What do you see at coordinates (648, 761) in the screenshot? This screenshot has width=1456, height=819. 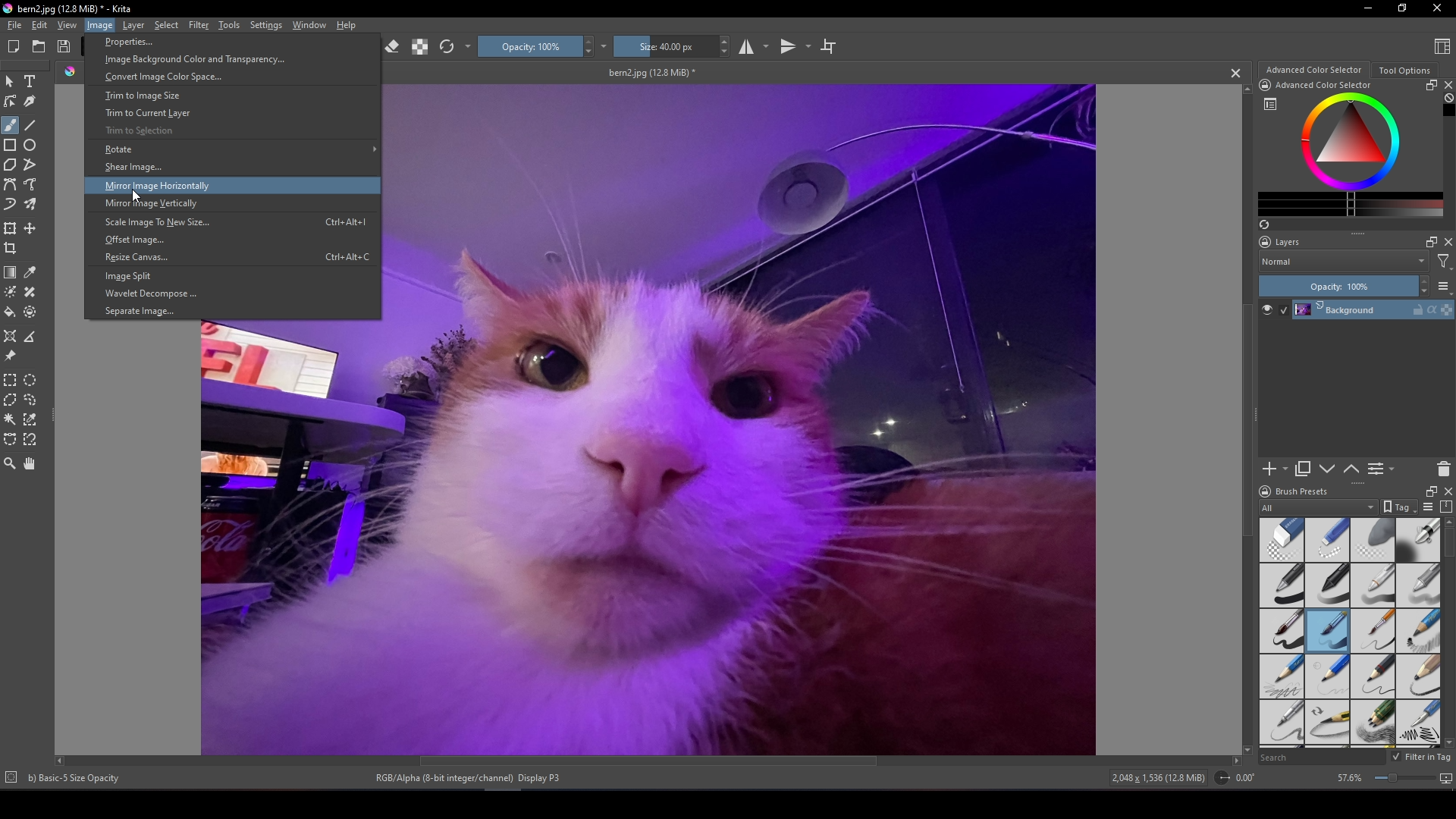 I see `Horizontal scroll` at bounding box center [648, 761].